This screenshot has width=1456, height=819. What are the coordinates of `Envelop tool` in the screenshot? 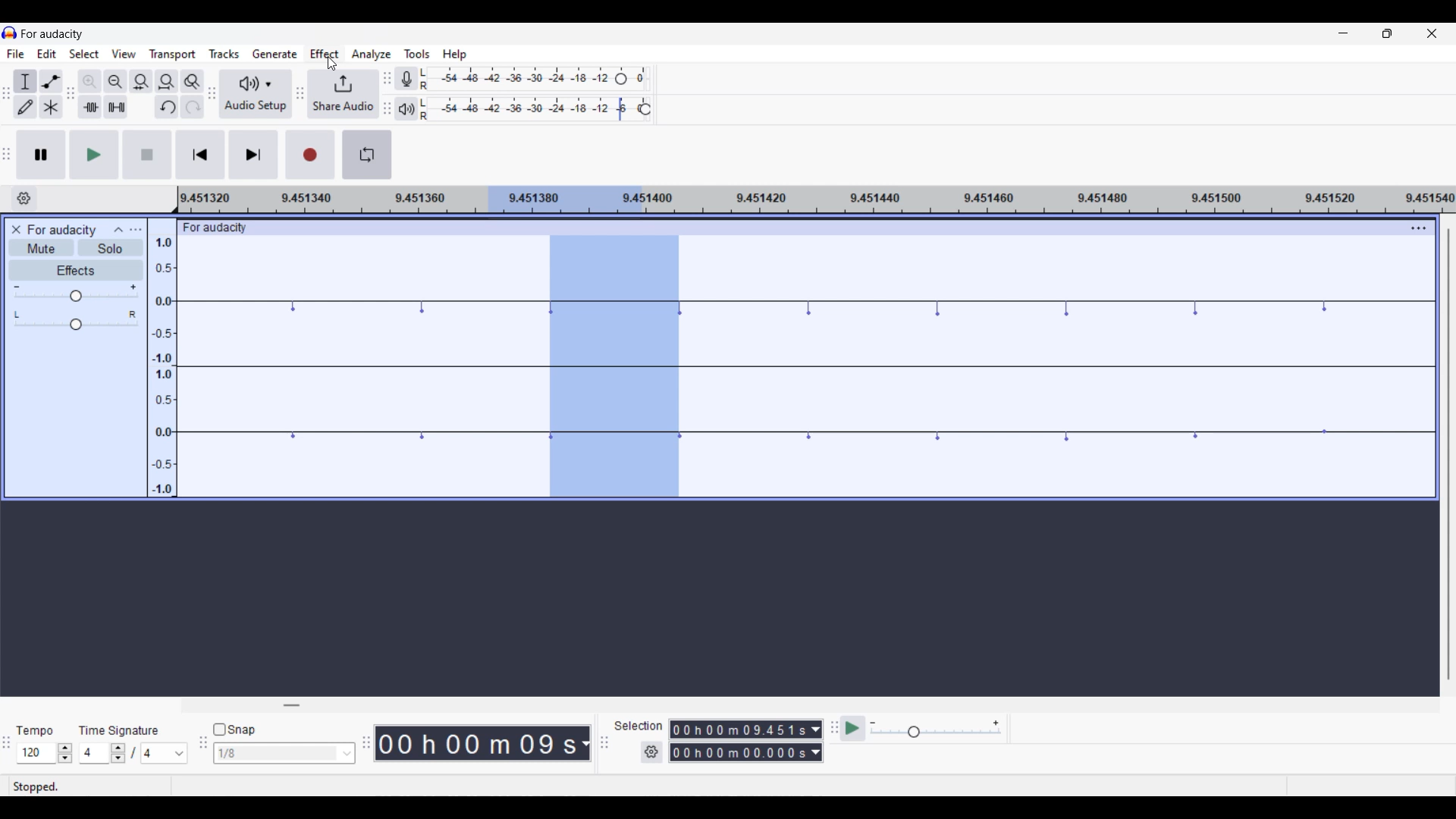 It's located at (52, 82).